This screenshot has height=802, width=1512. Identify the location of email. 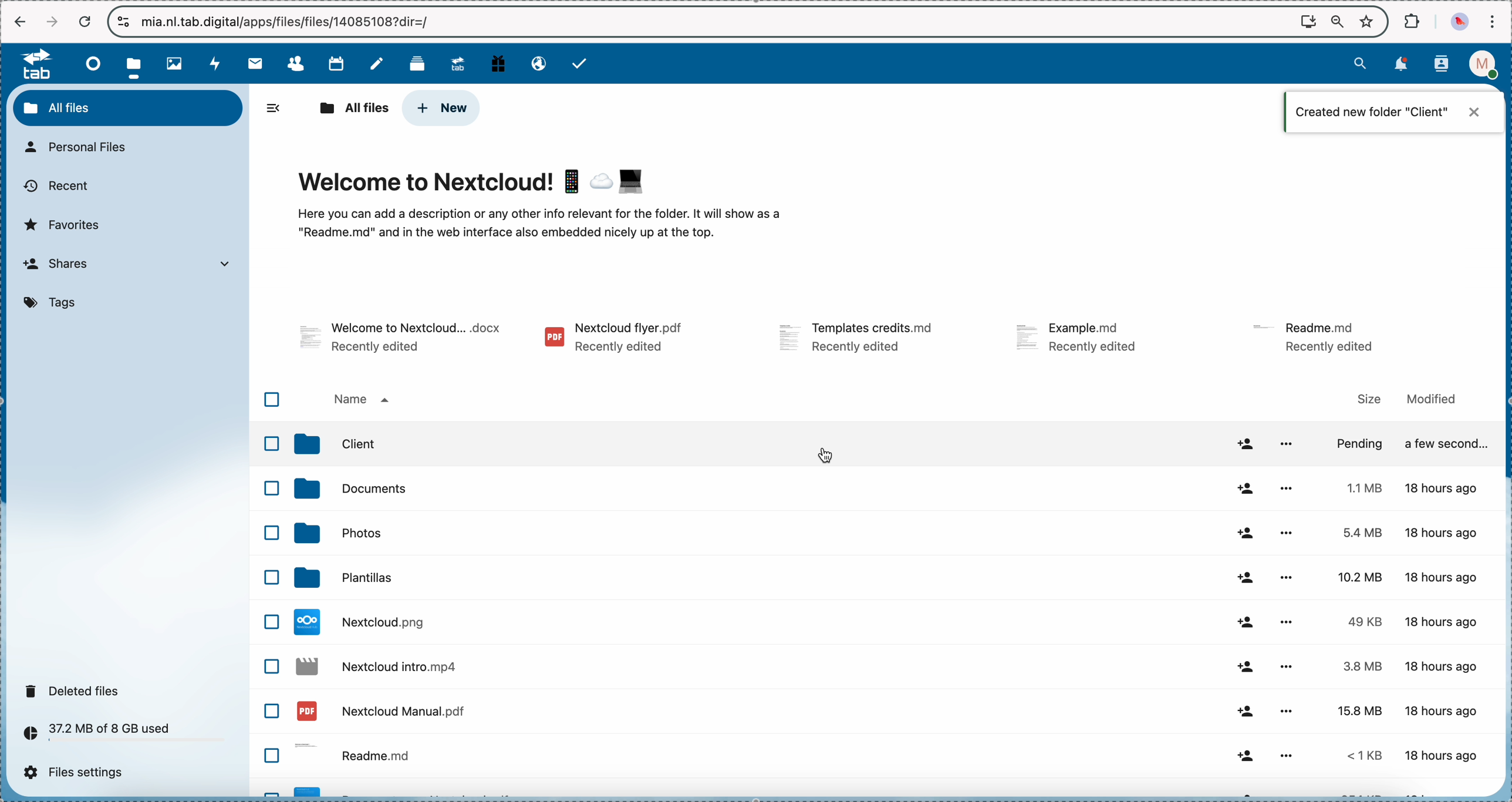
(536, 62).